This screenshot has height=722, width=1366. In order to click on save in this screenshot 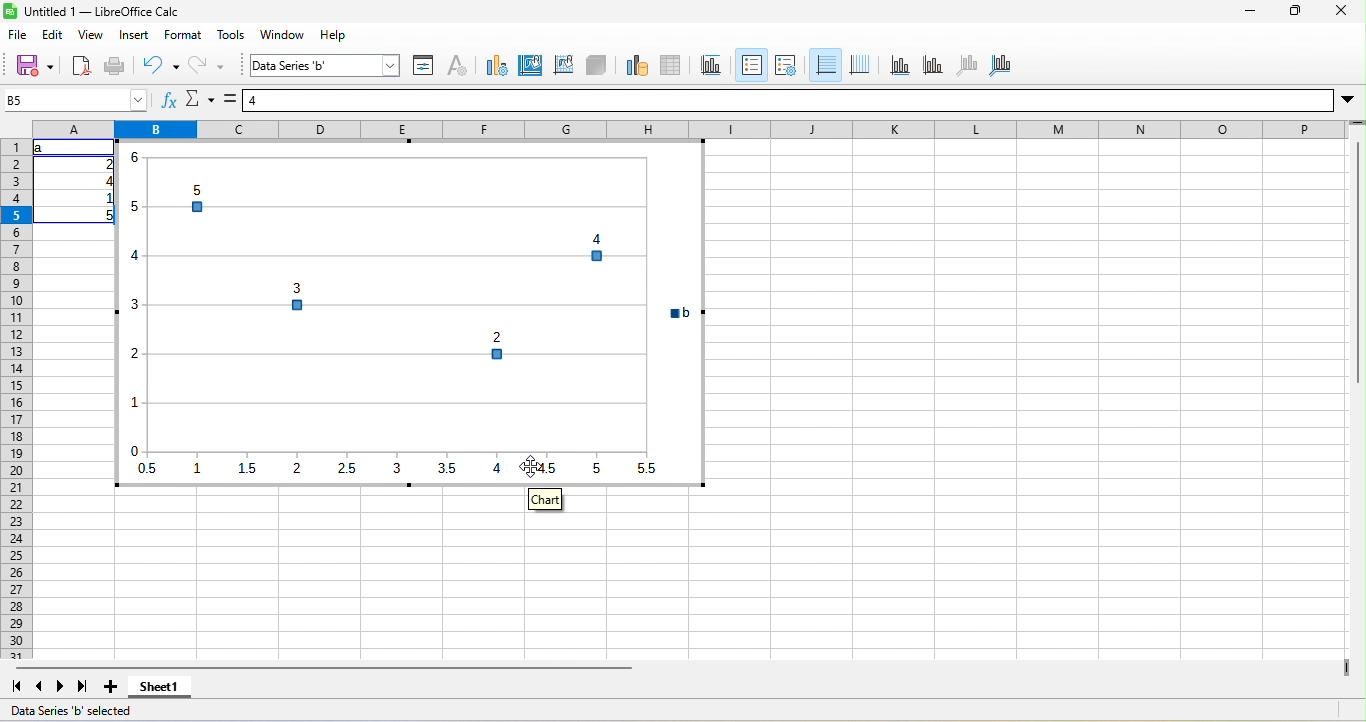, I will do `click(34, 66)`.